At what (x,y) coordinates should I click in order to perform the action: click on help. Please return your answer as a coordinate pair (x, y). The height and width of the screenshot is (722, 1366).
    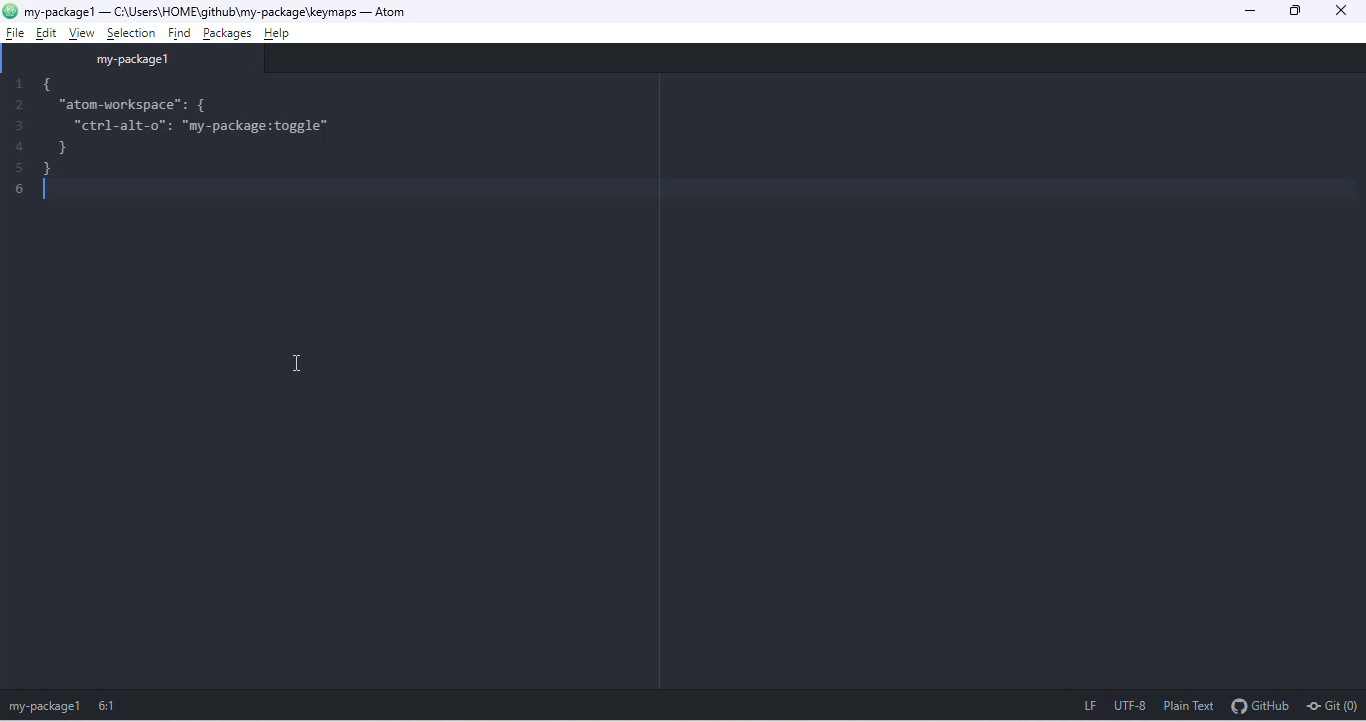
    Looking at the image, I should click on (285, 30).